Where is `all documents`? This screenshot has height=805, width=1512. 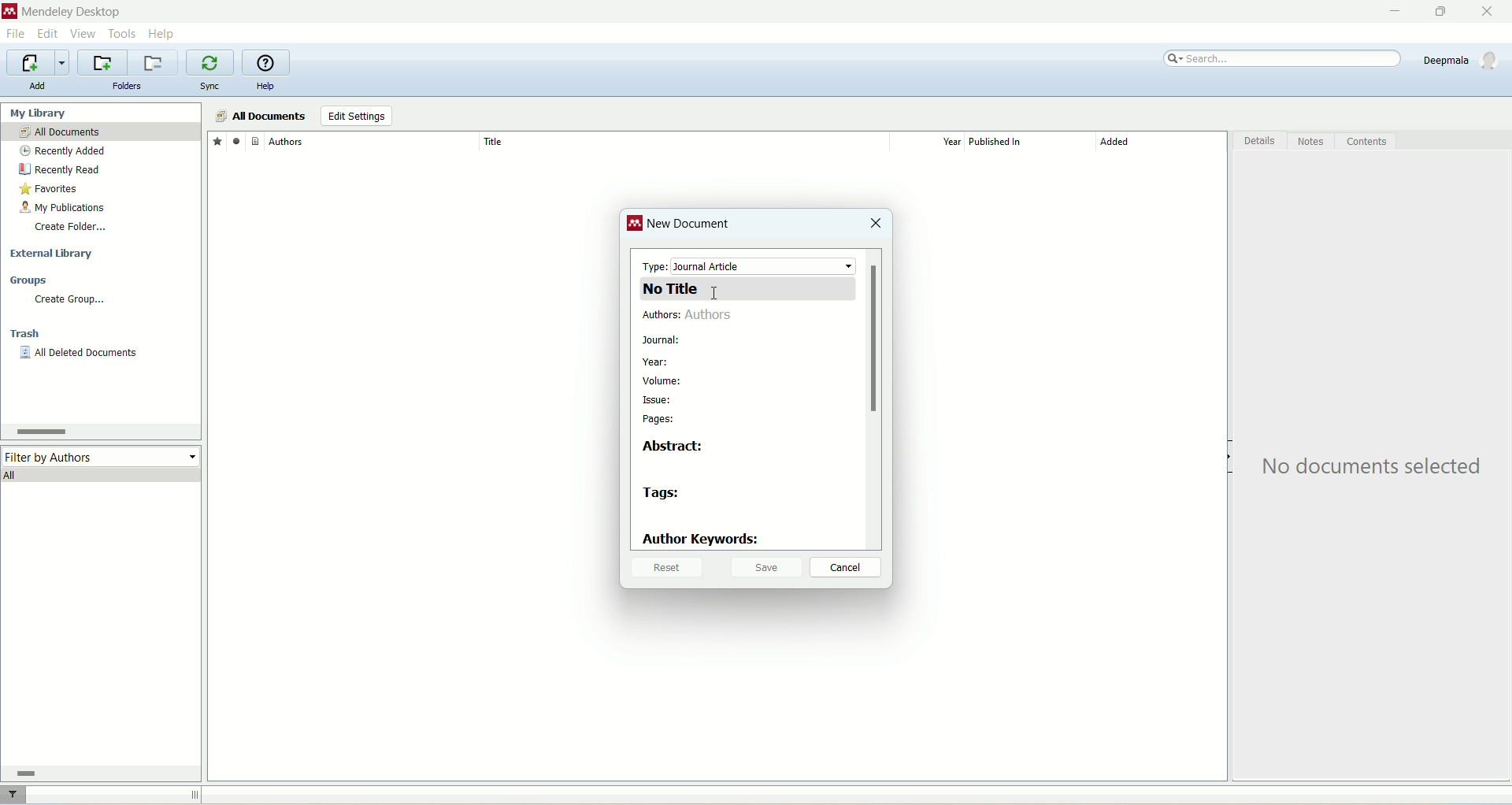 all documents is located at coordinates (101, 132).